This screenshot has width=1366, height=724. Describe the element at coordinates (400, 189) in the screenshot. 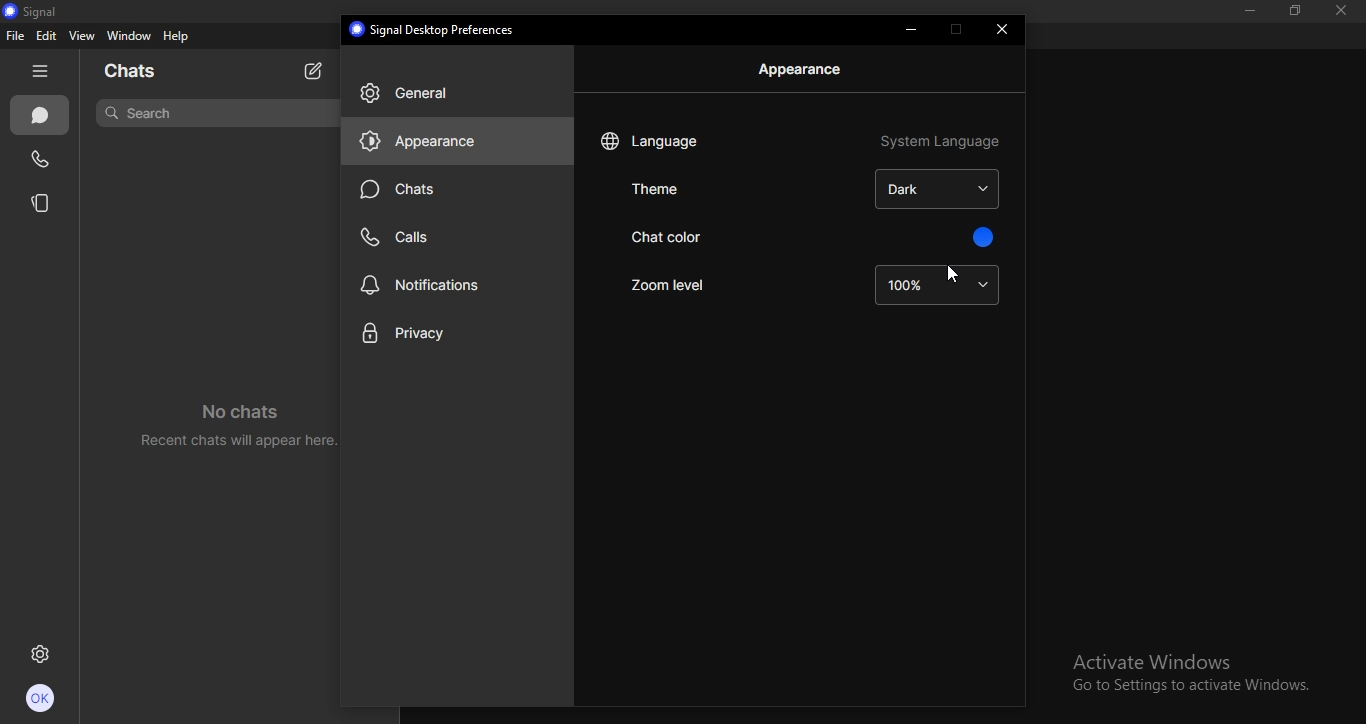

I see `chats` at that location.